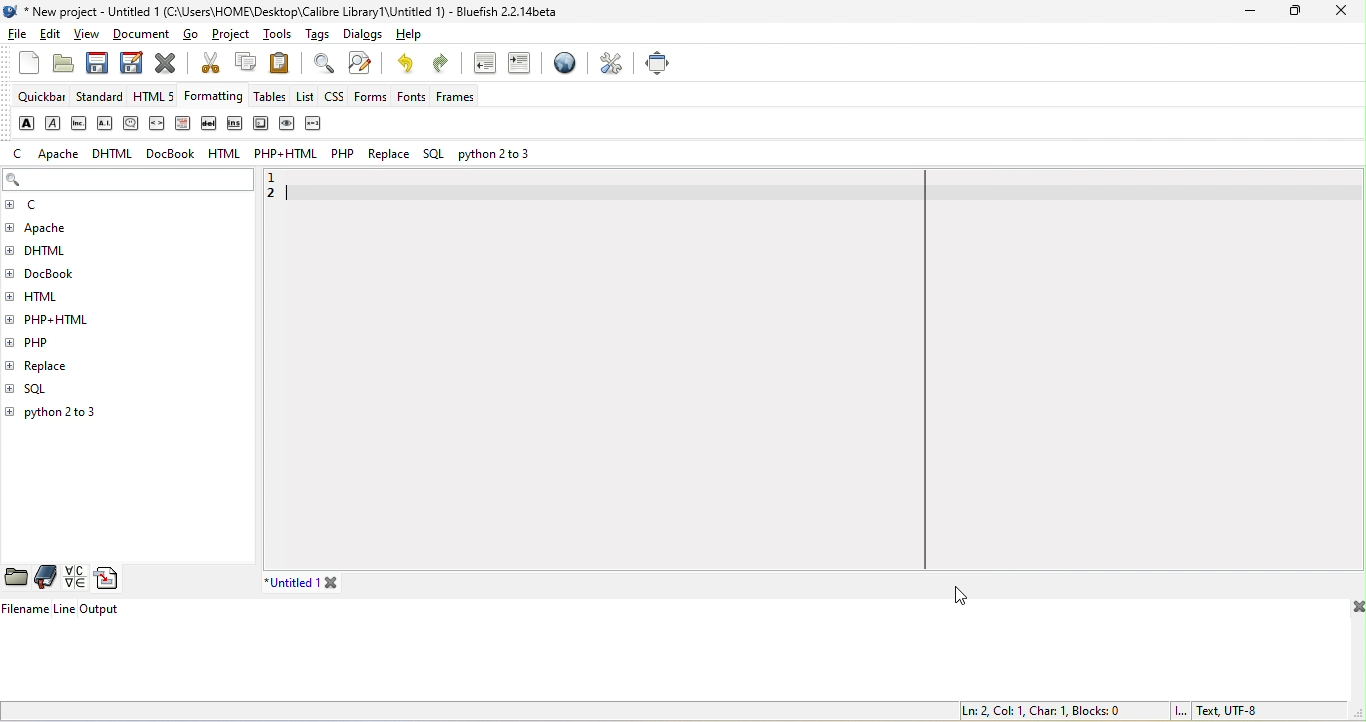 This screenshot has height=722, width=1366. Describe the element at coordinates (158, 125) in the screenshot. I see `code` at that location.